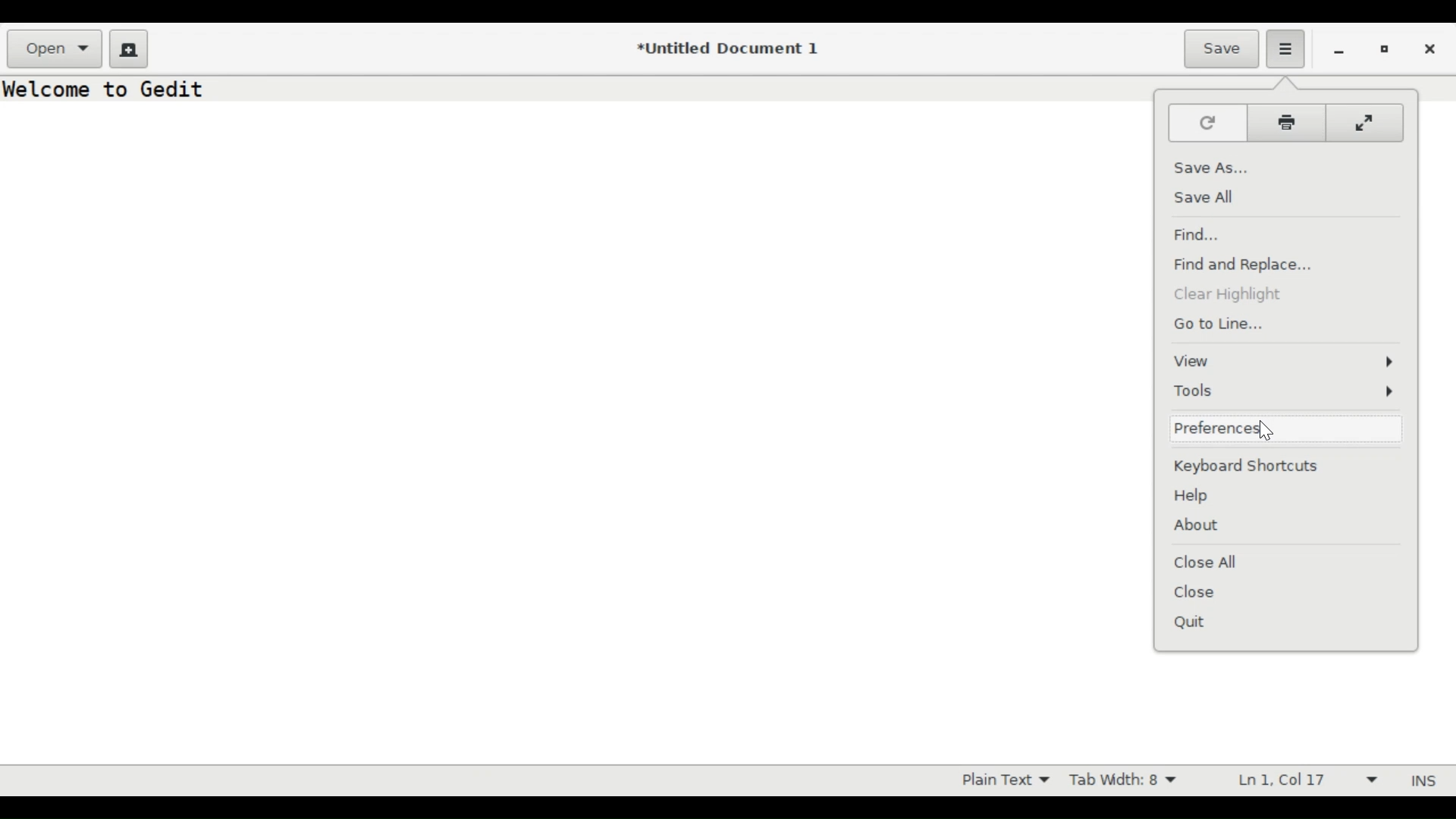  I want to click on Help, so click(1202, 495).